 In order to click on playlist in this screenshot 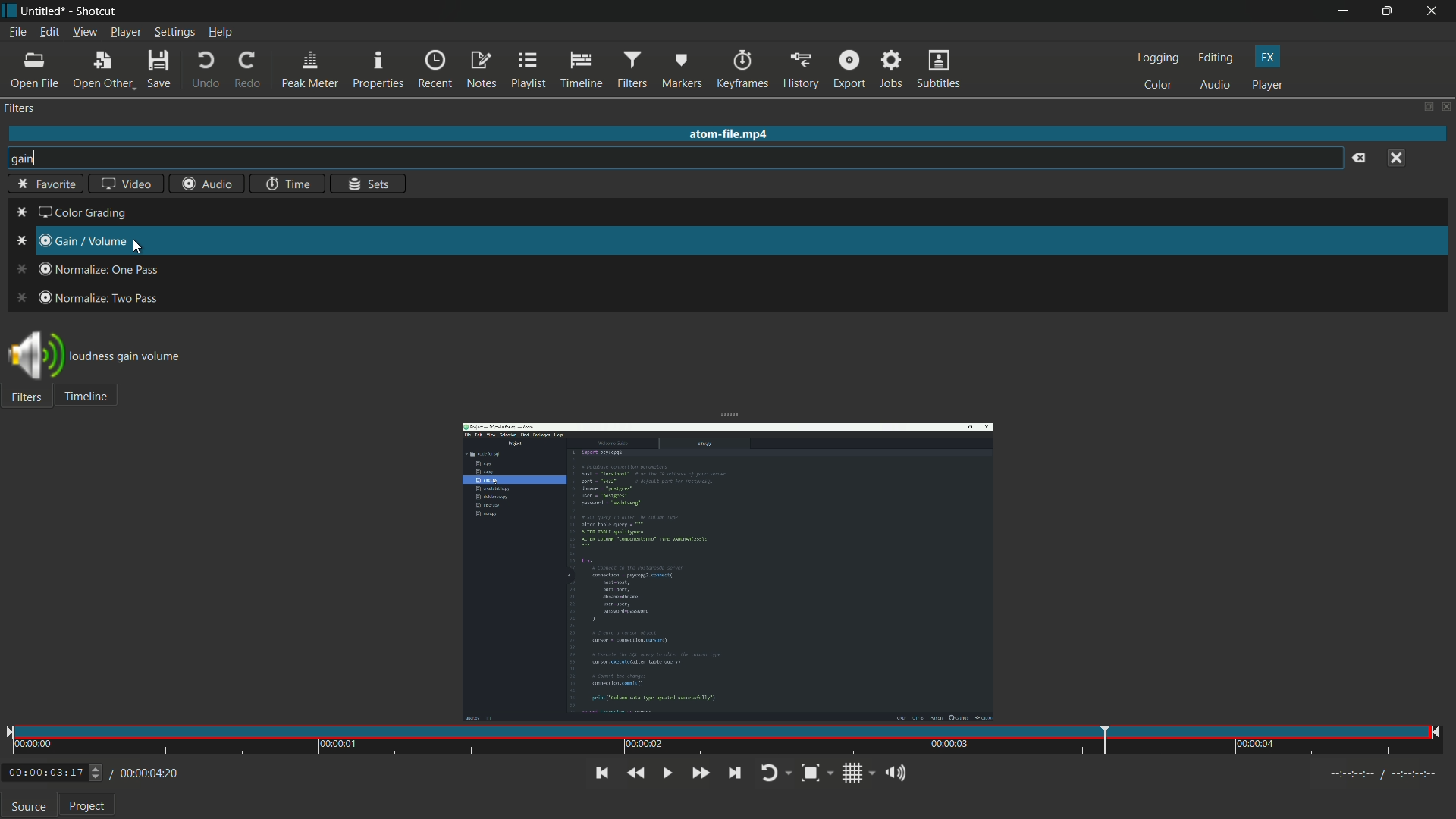, I will do `click(529, 70)`.